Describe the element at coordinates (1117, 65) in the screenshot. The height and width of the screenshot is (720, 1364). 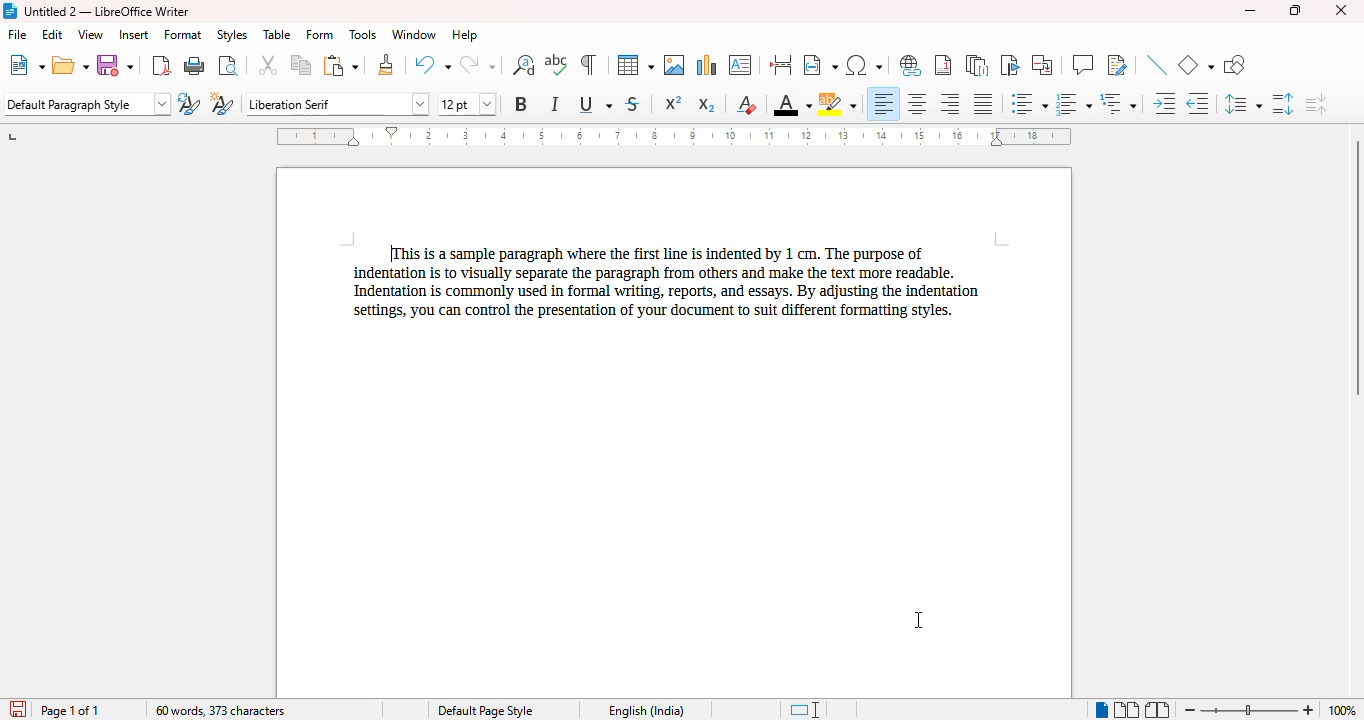
I see `show track changes functions` at that location.